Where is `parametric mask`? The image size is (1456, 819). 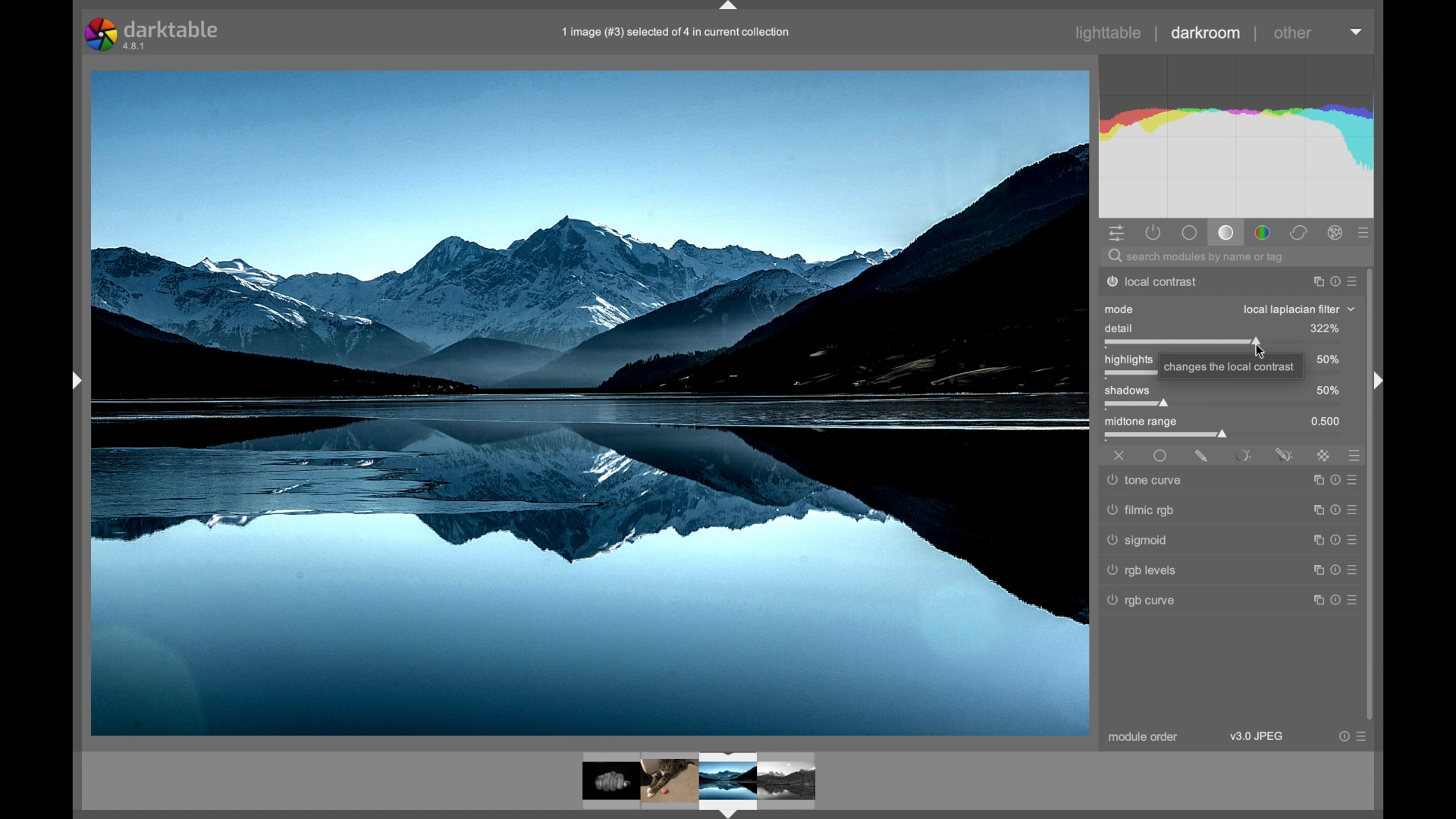 parametric mask is located at coordinates (1241, 455).